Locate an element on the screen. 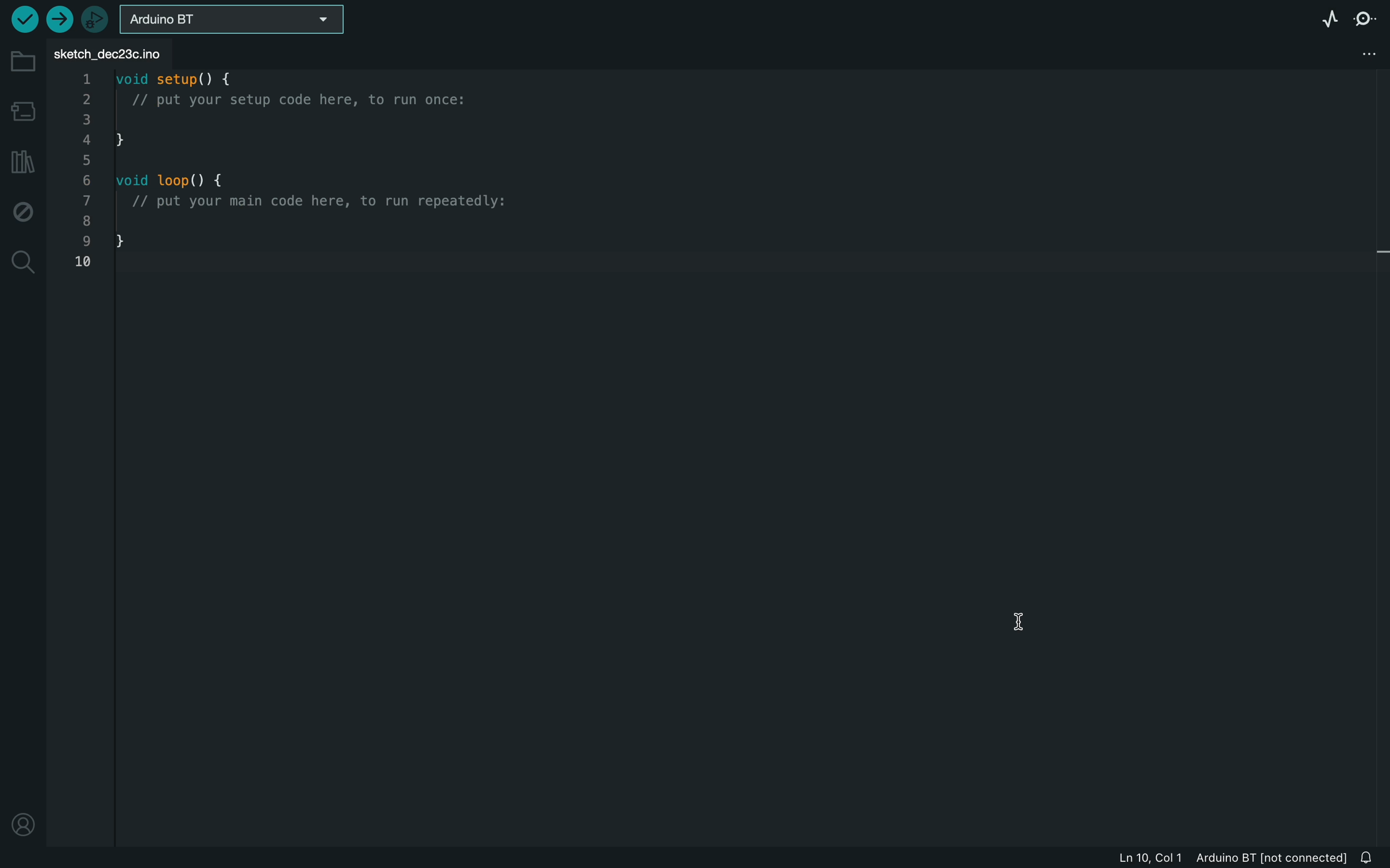  cursor is located at coordinates (1028, 621).